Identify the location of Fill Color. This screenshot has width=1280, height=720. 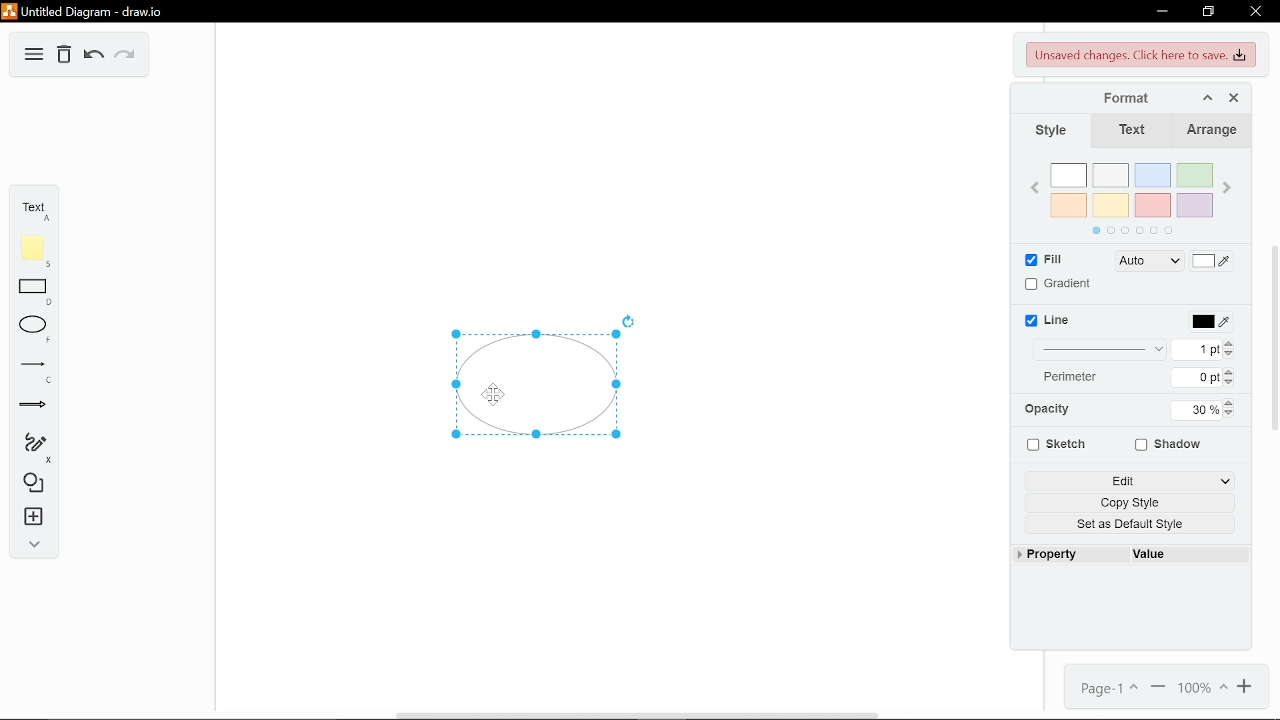
(1211, 261).